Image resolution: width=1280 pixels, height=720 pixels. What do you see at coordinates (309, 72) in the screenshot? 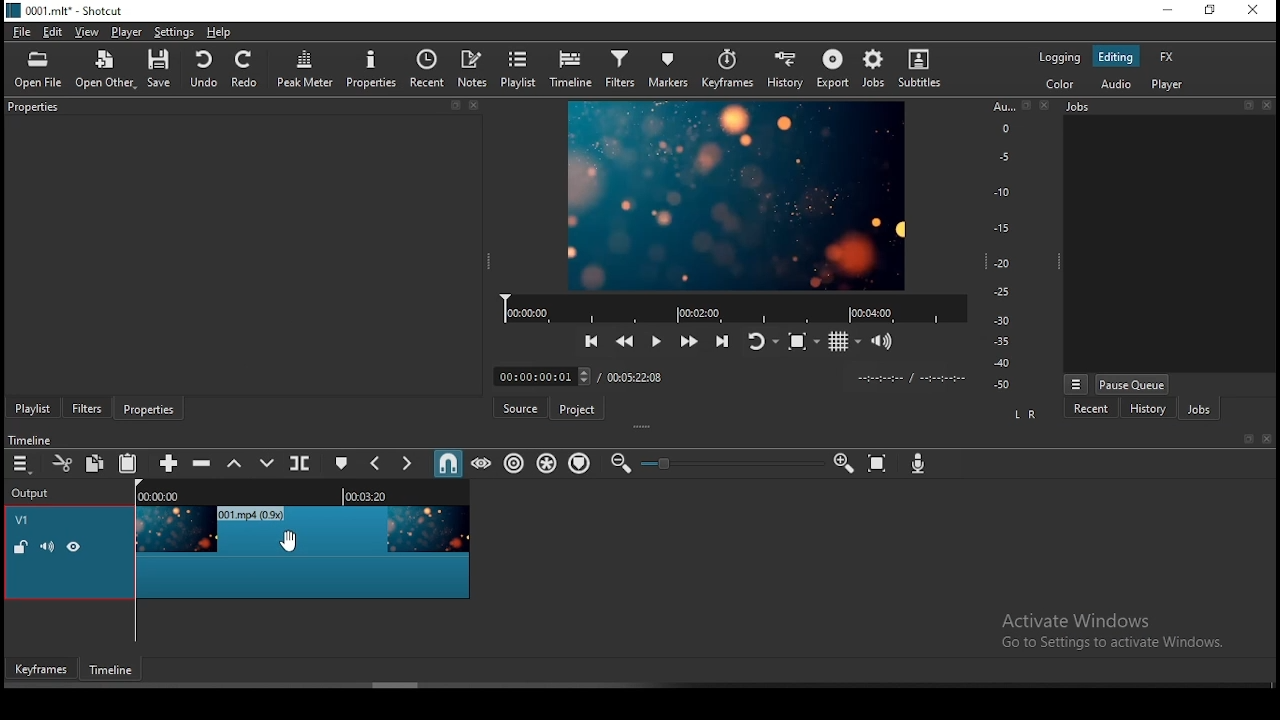
I see `peak meter` at bounding box center [309, 72].